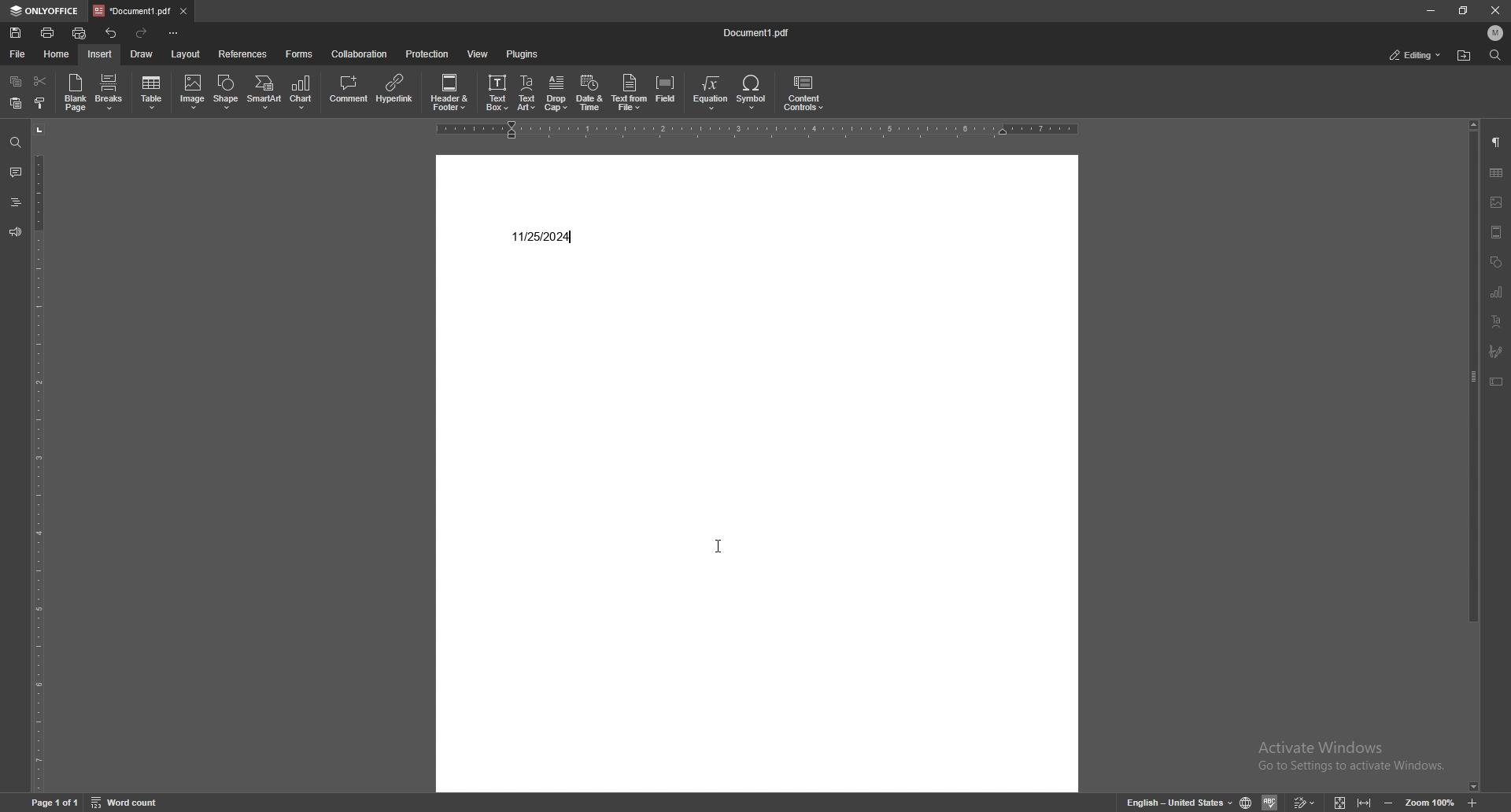 This screenshot has width=1511, height=812. What do you see at coordinates (173, 34) in the screenshot?
I see `customize toolbar` at bounding box center [173, 34].